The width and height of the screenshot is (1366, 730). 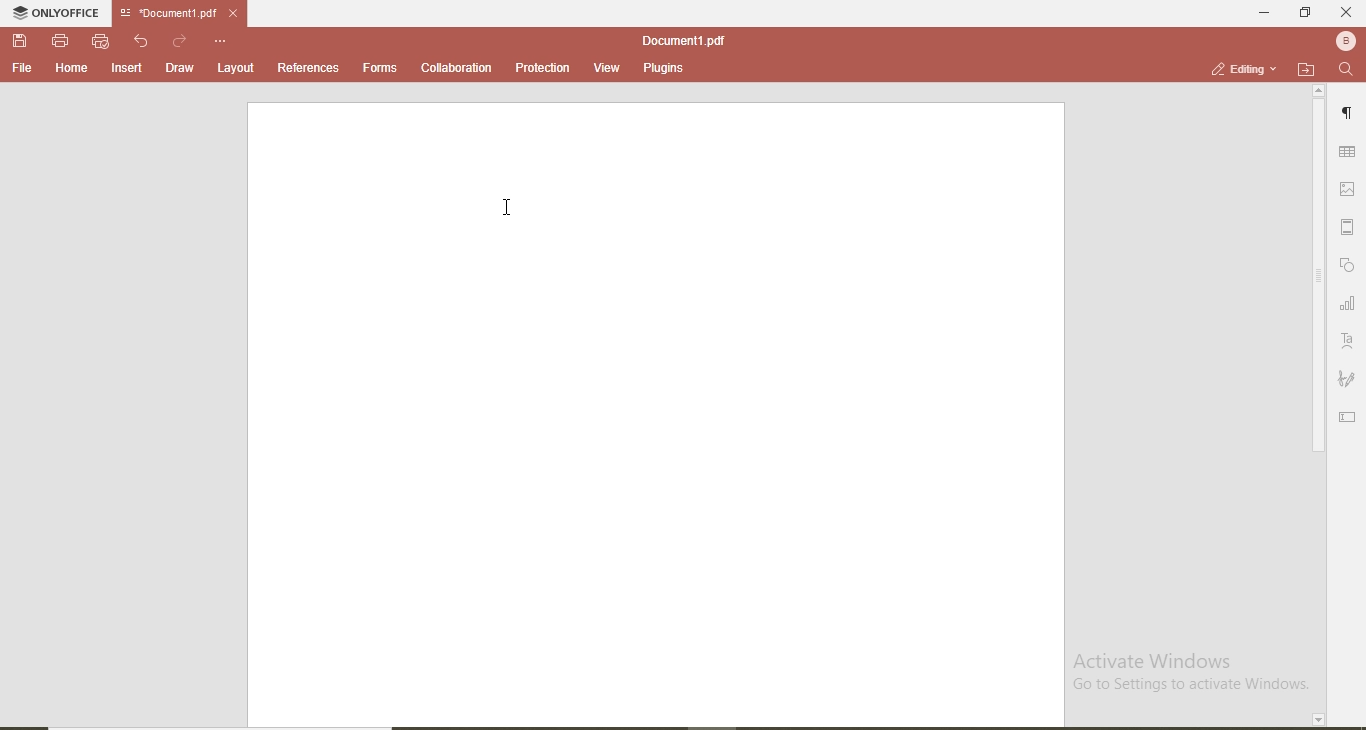 I want to click on onlyoffice, so click(x=51, y=12).